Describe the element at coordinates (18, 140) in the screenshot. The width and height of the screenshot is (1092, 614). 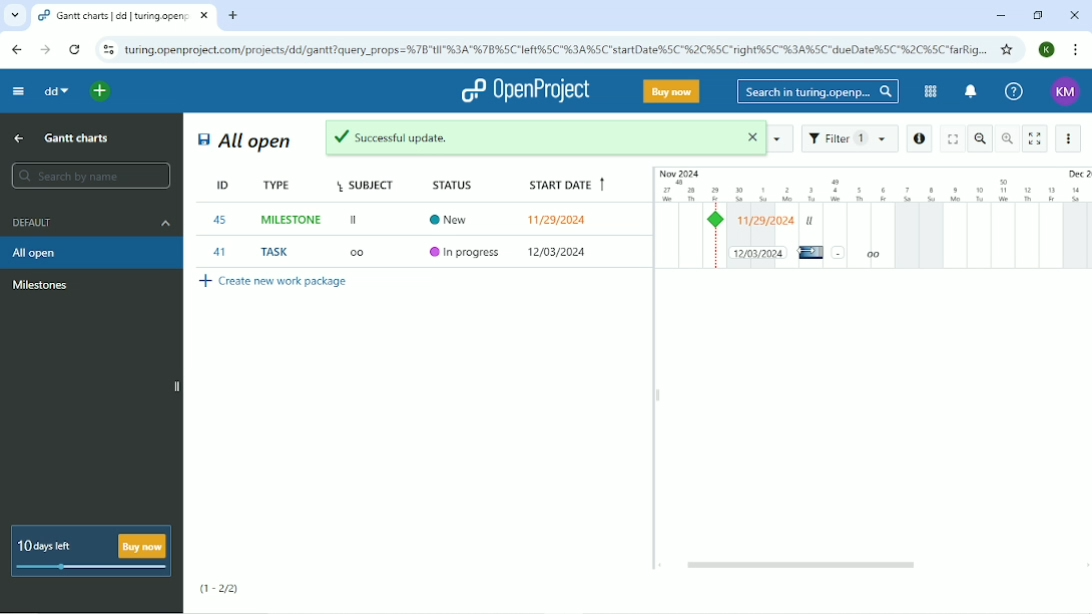
I see `Up` at that location.